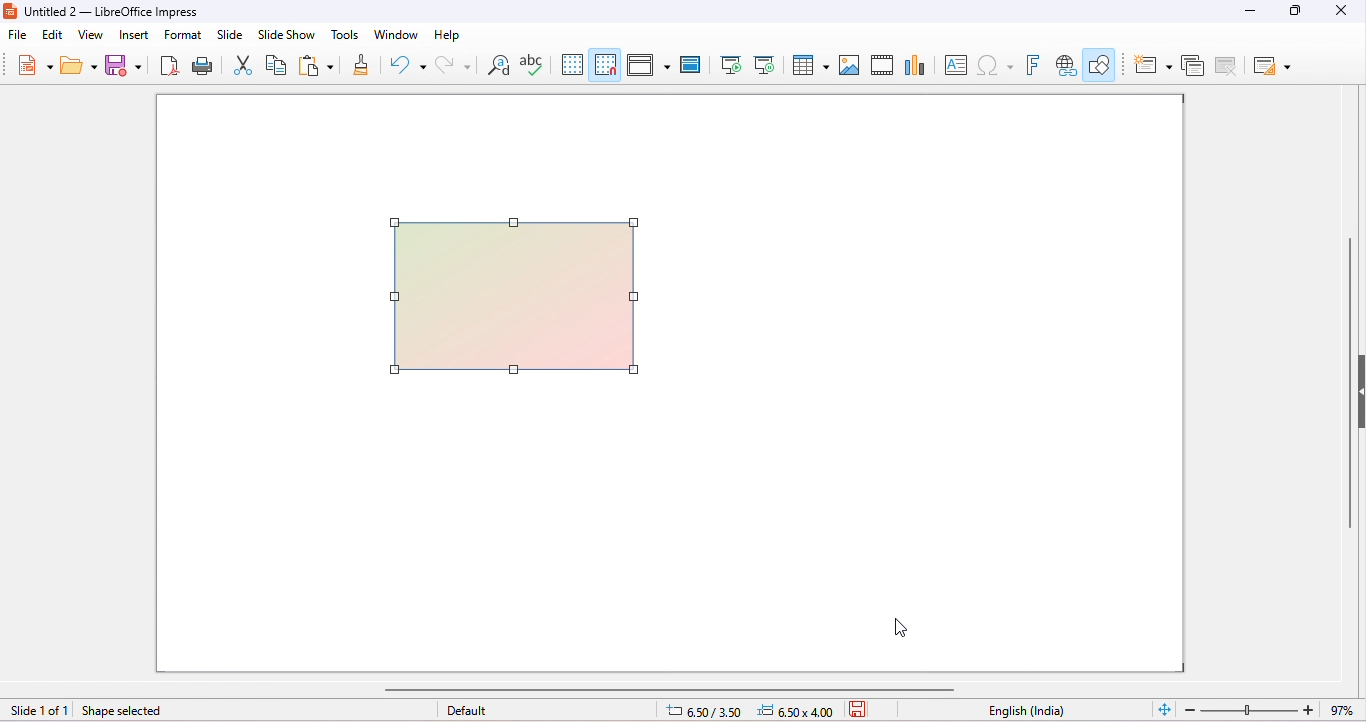  Describe the element at coordinates (230, 34) in the screenshot. I see `slide` at that location.